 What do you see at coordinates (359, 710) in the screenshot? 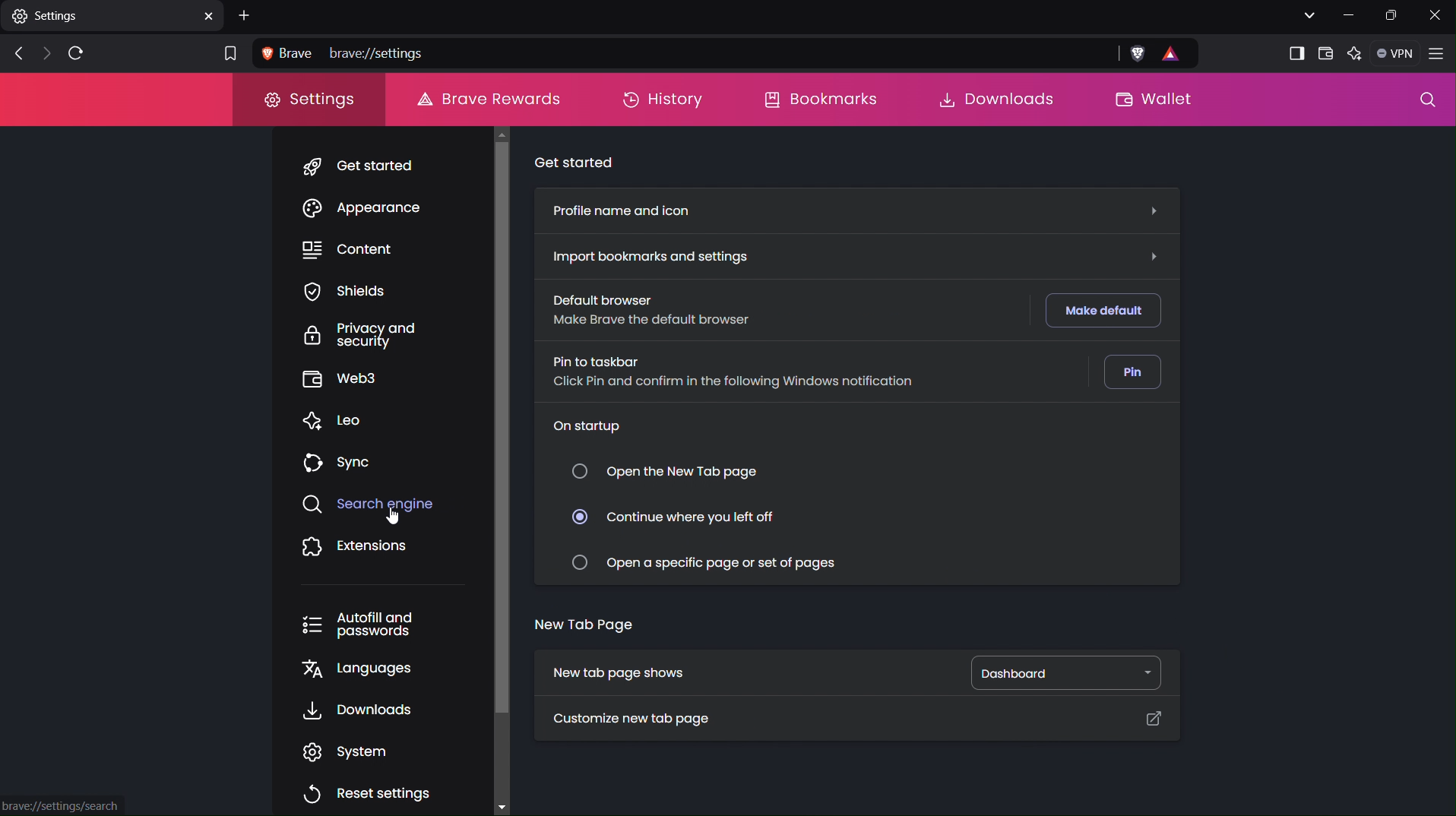
I see `Downloads` at bounding box center [359, 710].